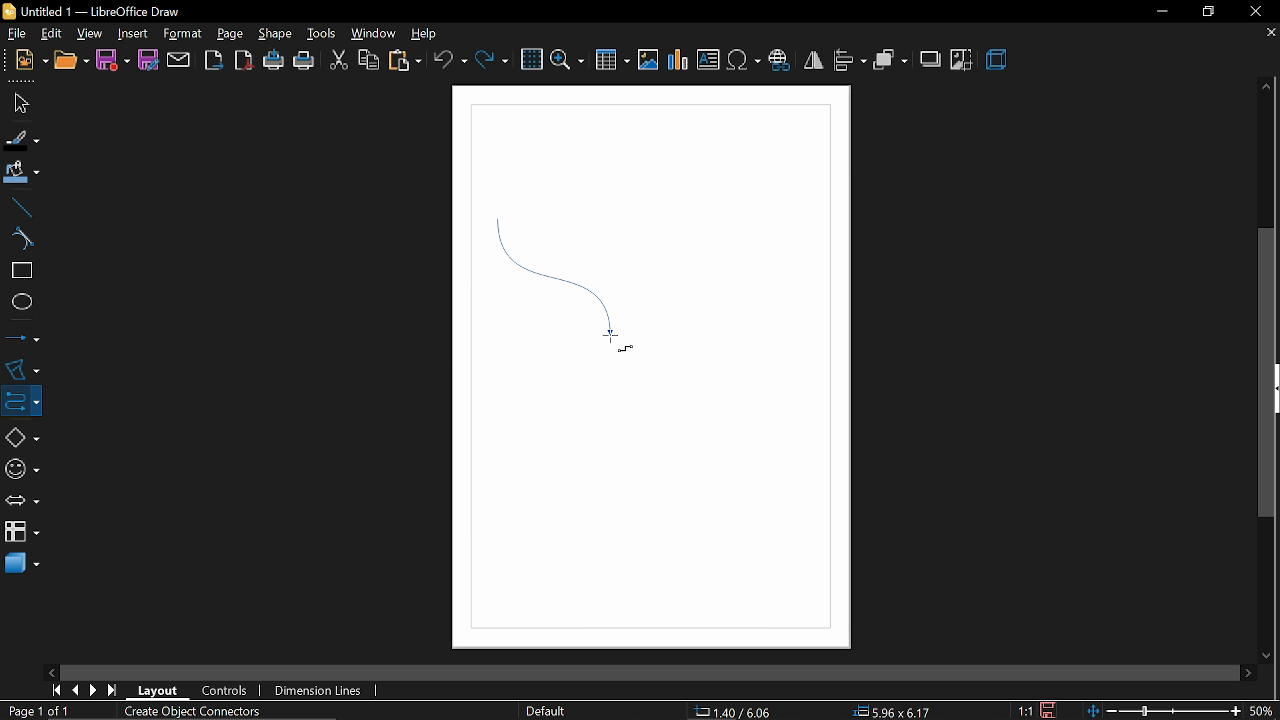 The width and height of the screenshot is (1280, 720). What do you see at coordinates (743, 61) in the screenshot?
I see `Insert symbol` at bounding box center [743, 61].